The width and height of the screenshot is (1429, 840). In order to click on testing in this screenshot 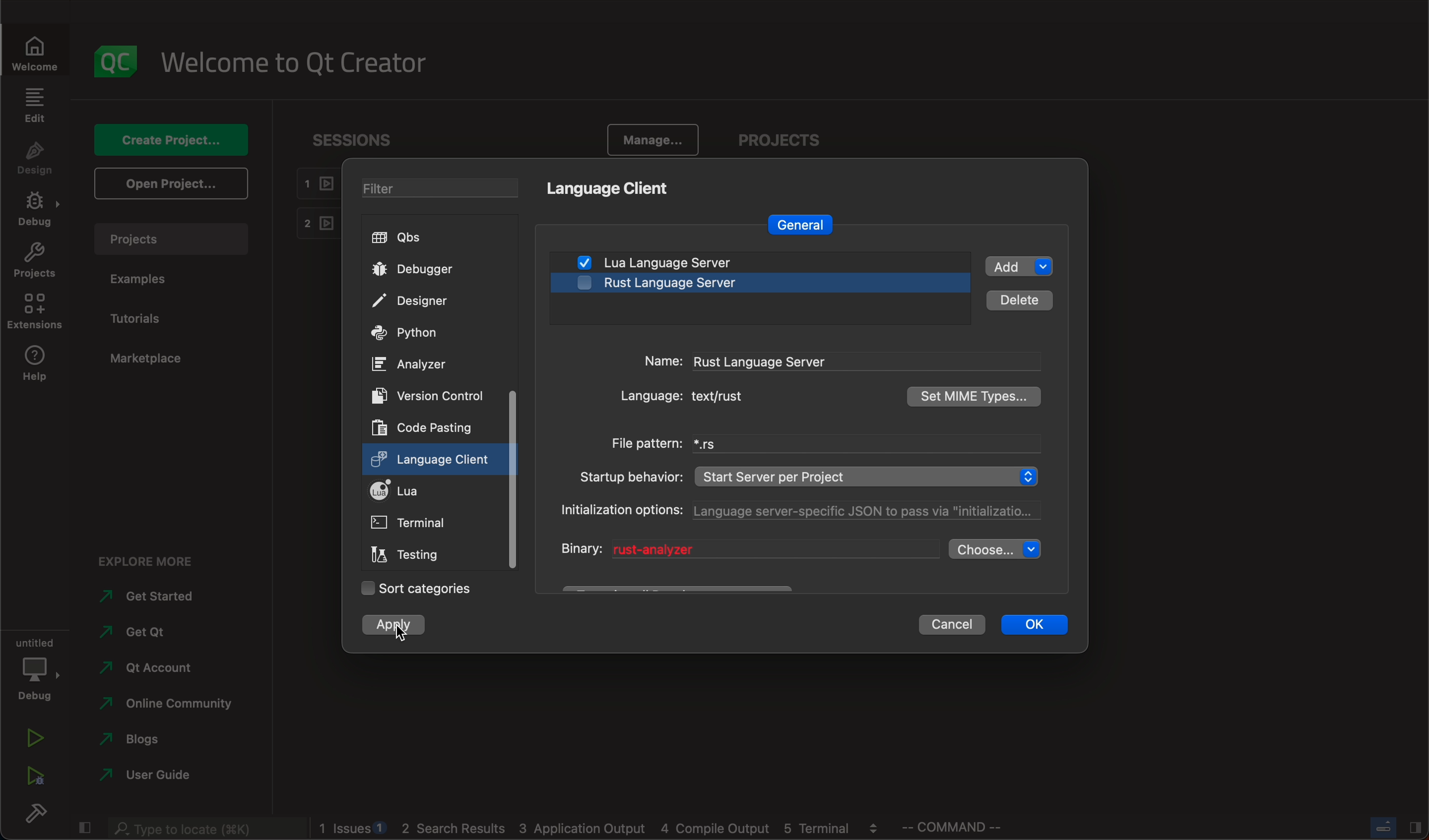, I will do `click(407, 554)`.